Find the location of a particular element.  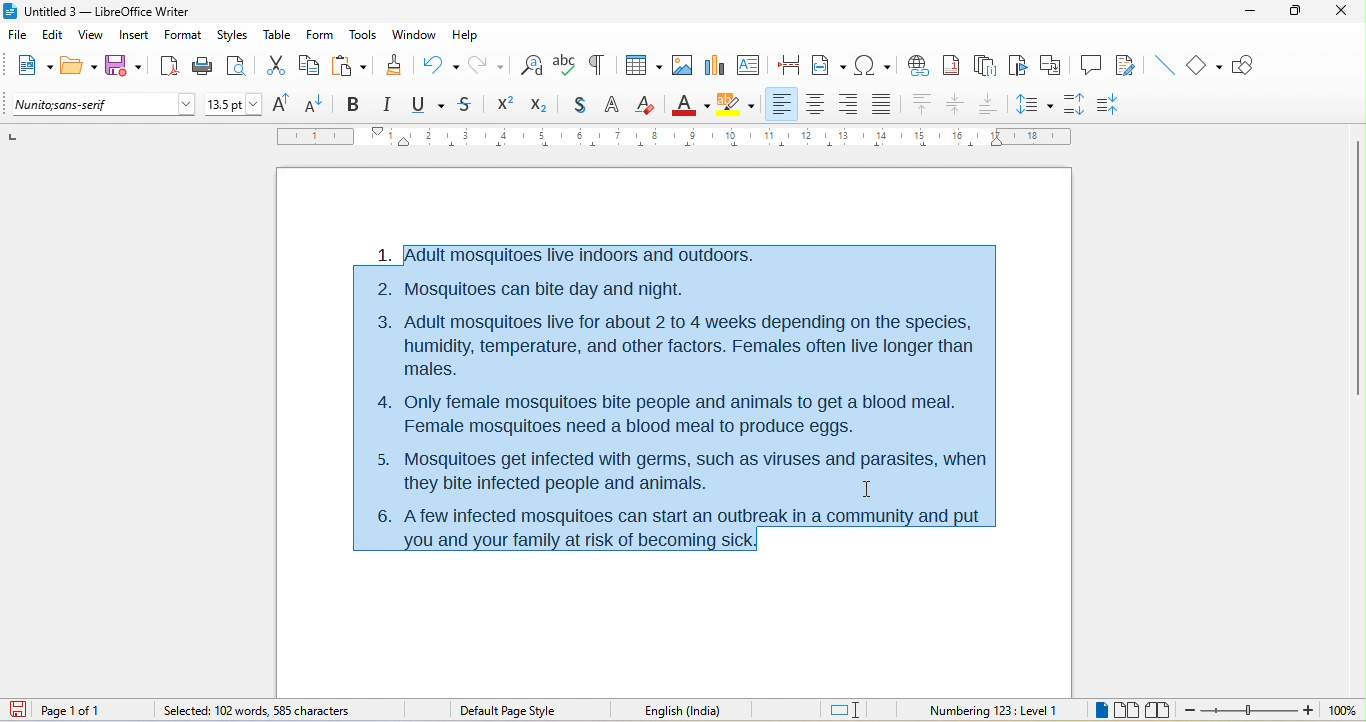

cut is located at coordinates (279, 66).